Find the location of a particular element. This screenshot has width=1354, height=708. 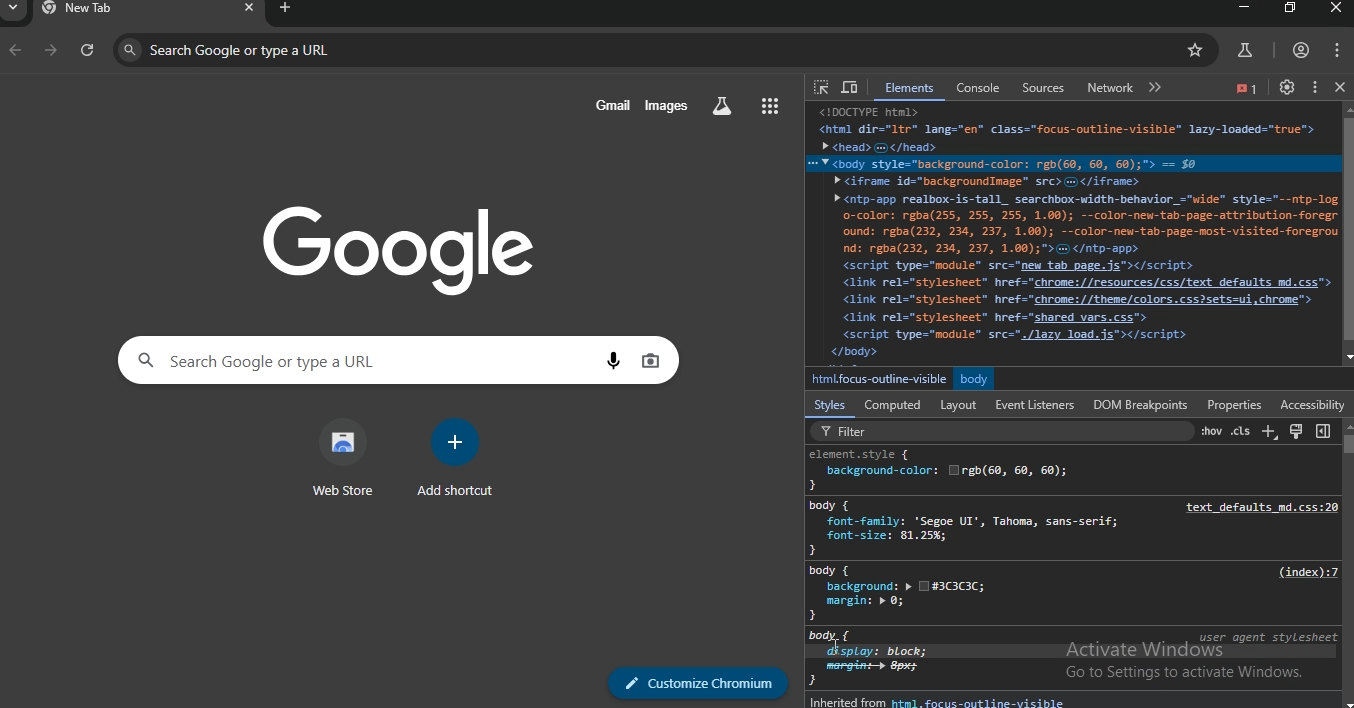

account  is located at coordinates (1300, 52).